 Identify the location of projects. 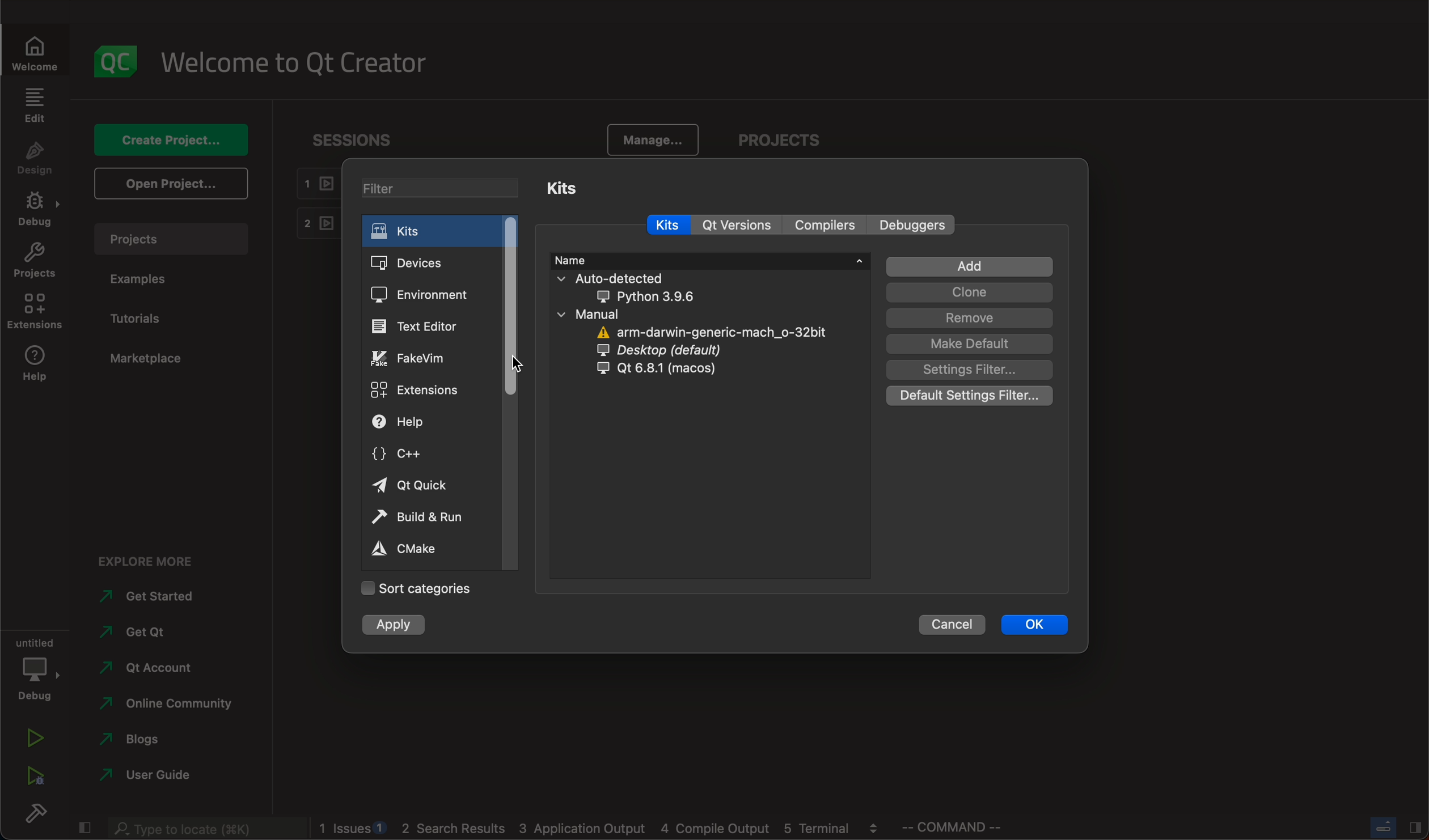
(35, 261).